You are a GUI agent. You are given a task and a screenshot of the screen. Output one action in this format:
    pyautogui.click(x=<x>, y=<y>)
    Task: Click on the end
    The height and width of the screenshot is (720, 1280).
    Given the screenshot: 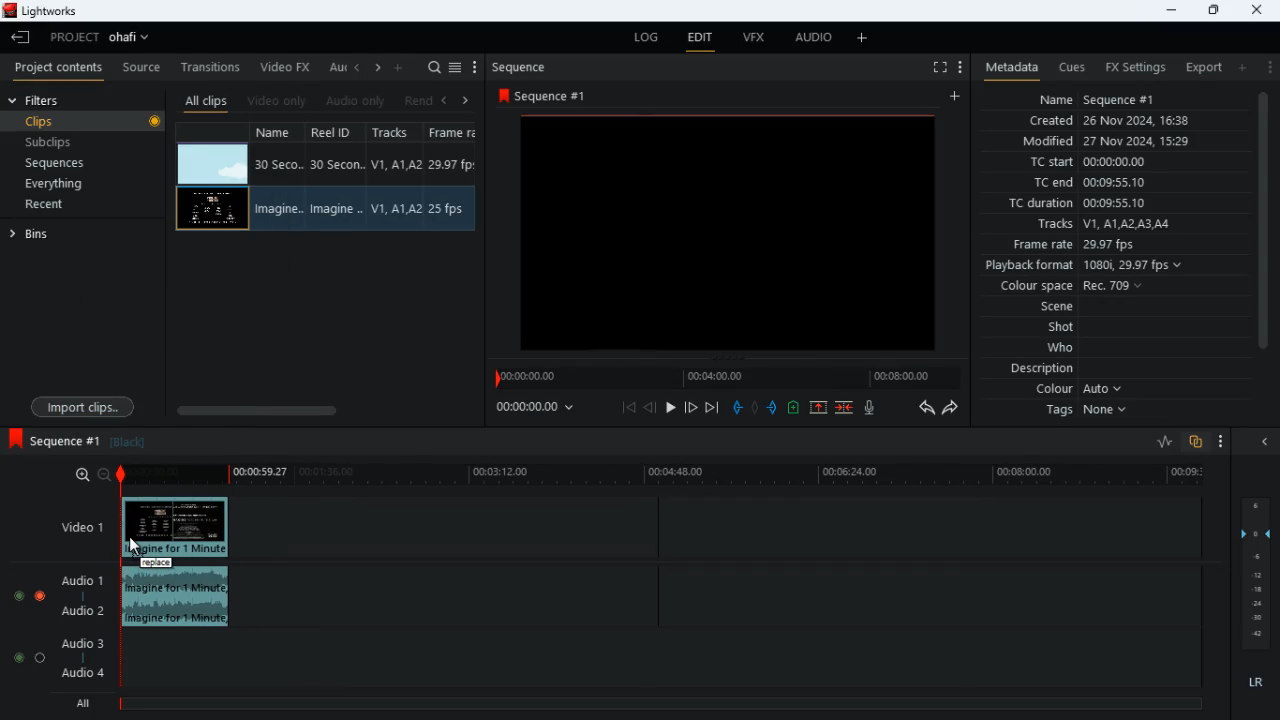 What is the action you would take?
    pyautogui.click(x=714, y=409)
    